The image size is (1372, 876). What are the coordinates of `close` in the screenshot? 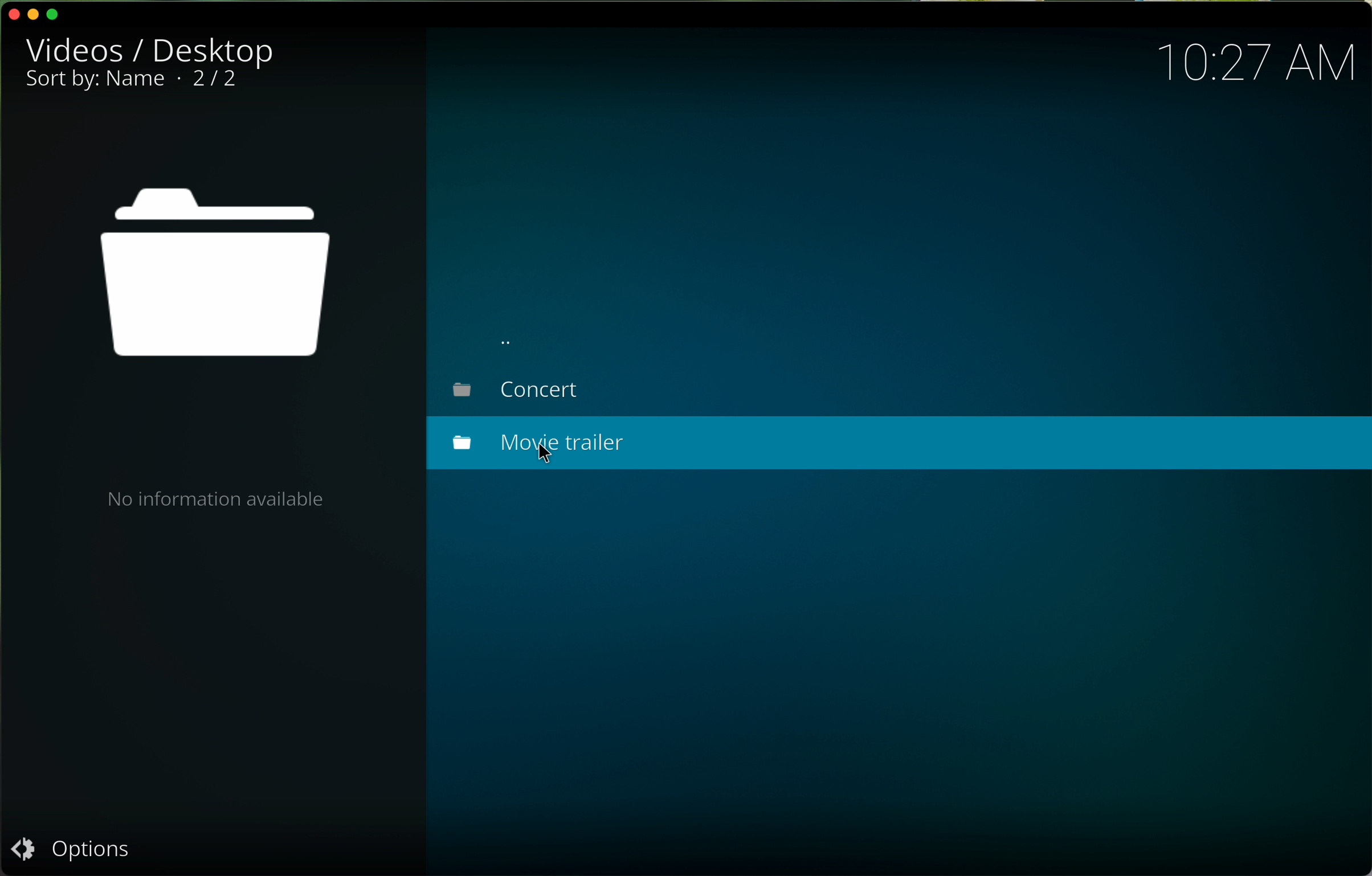 It's located at (13, 11).